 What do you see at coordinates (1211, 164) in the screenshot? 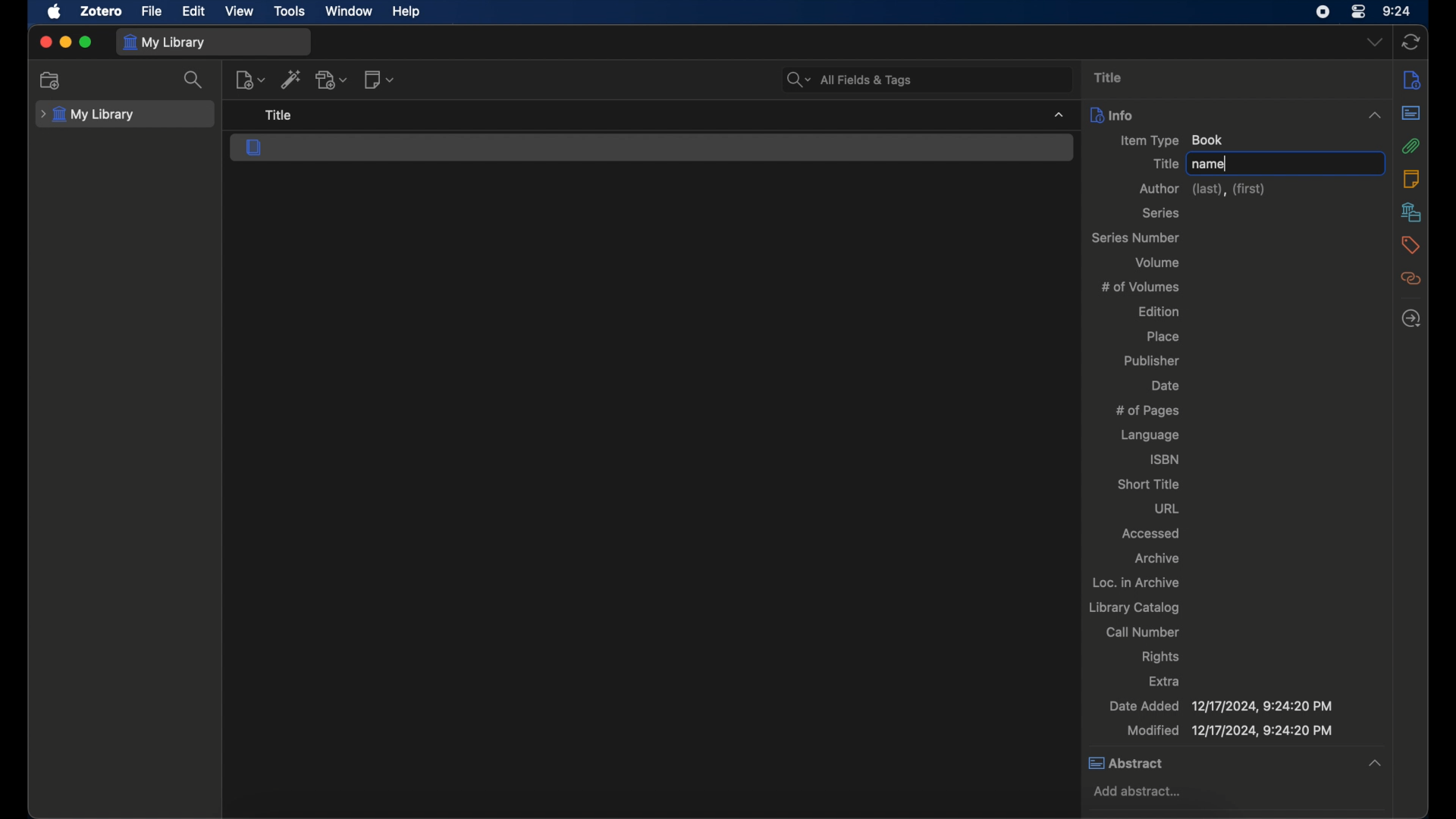
I see `name` at bounding box center [1211, 164].